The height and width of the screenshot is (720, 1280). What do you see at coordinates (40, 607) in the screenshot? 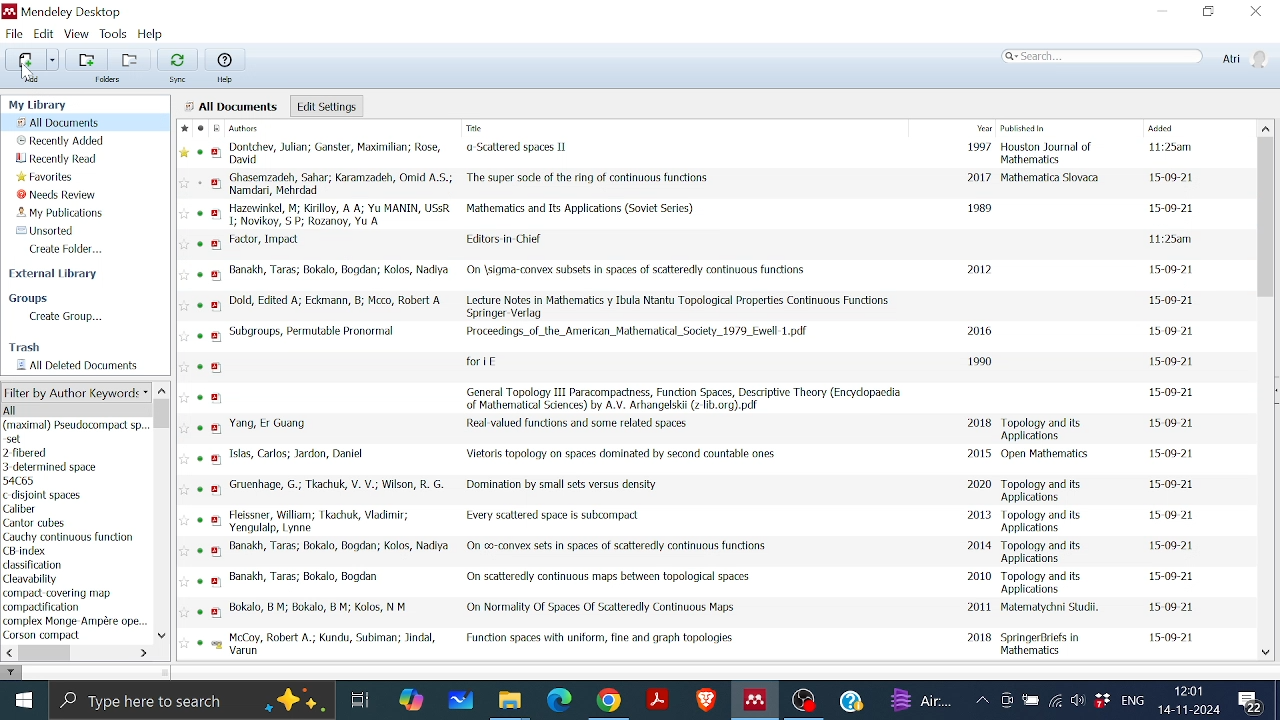
I see `Keyword` at bounding box center [40, 607].